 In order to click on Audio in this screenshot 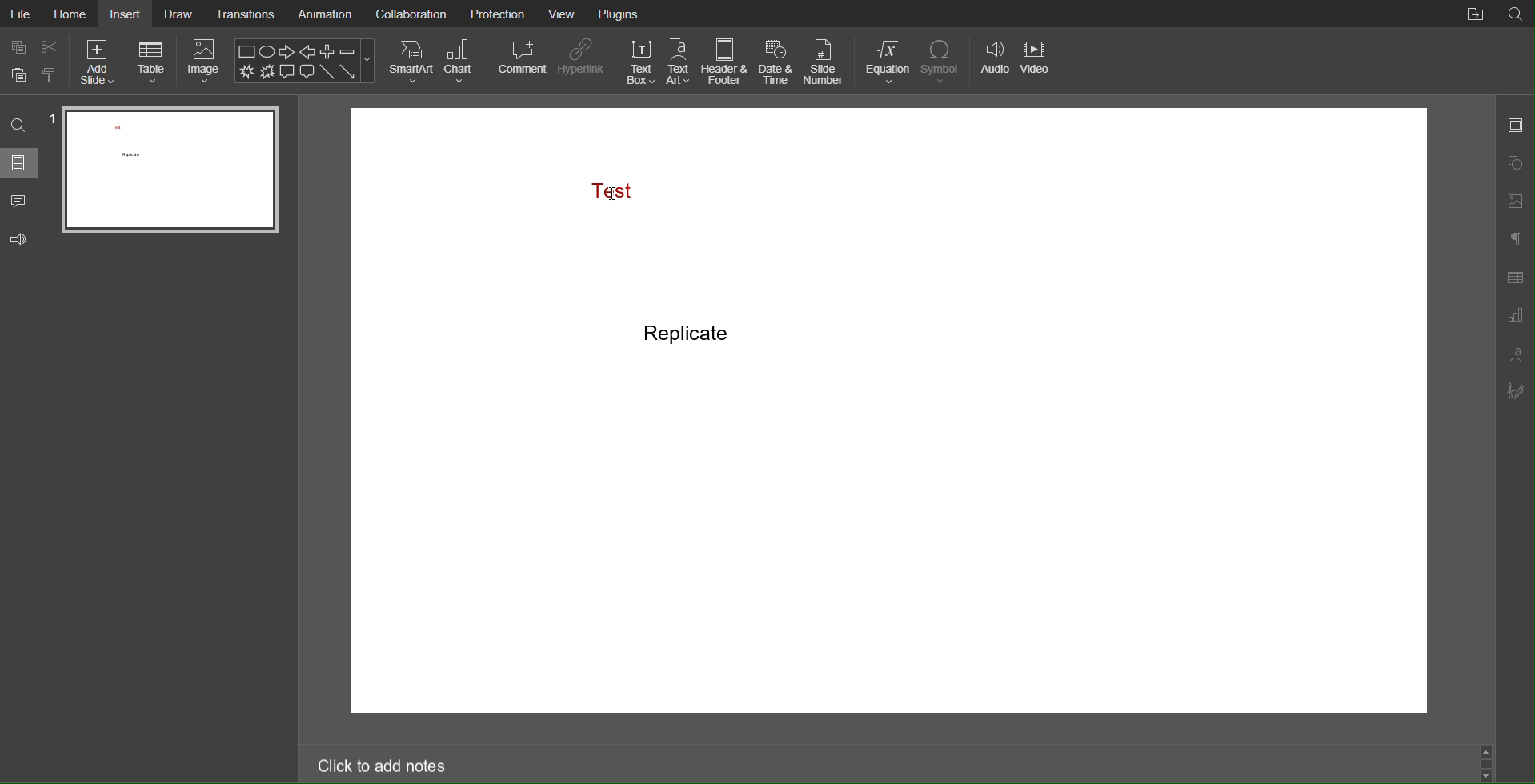, I will do `click(994, 62)`.